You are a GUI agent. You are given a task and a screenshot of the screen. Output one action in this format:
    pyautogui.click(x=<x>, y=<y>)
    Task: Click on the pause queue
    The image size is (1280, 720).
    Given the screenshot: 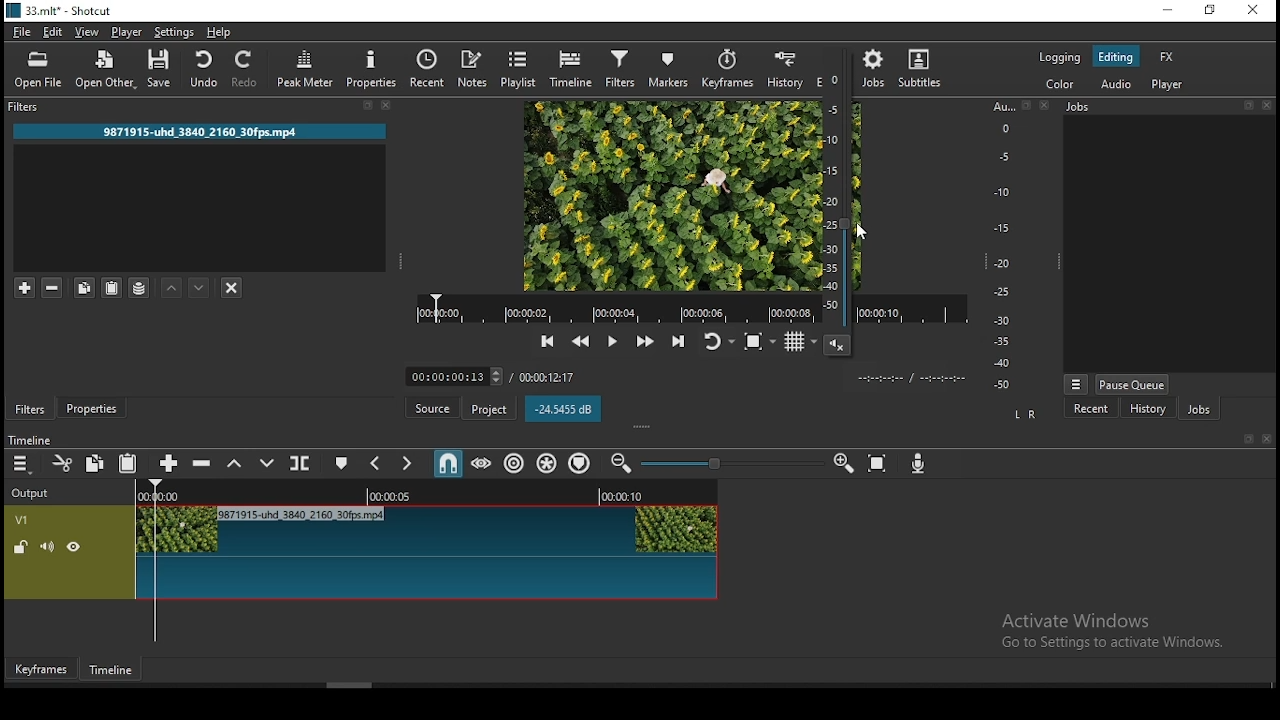 What is the action you would take?
    pyautogui.click(x=1134, y=384)
    